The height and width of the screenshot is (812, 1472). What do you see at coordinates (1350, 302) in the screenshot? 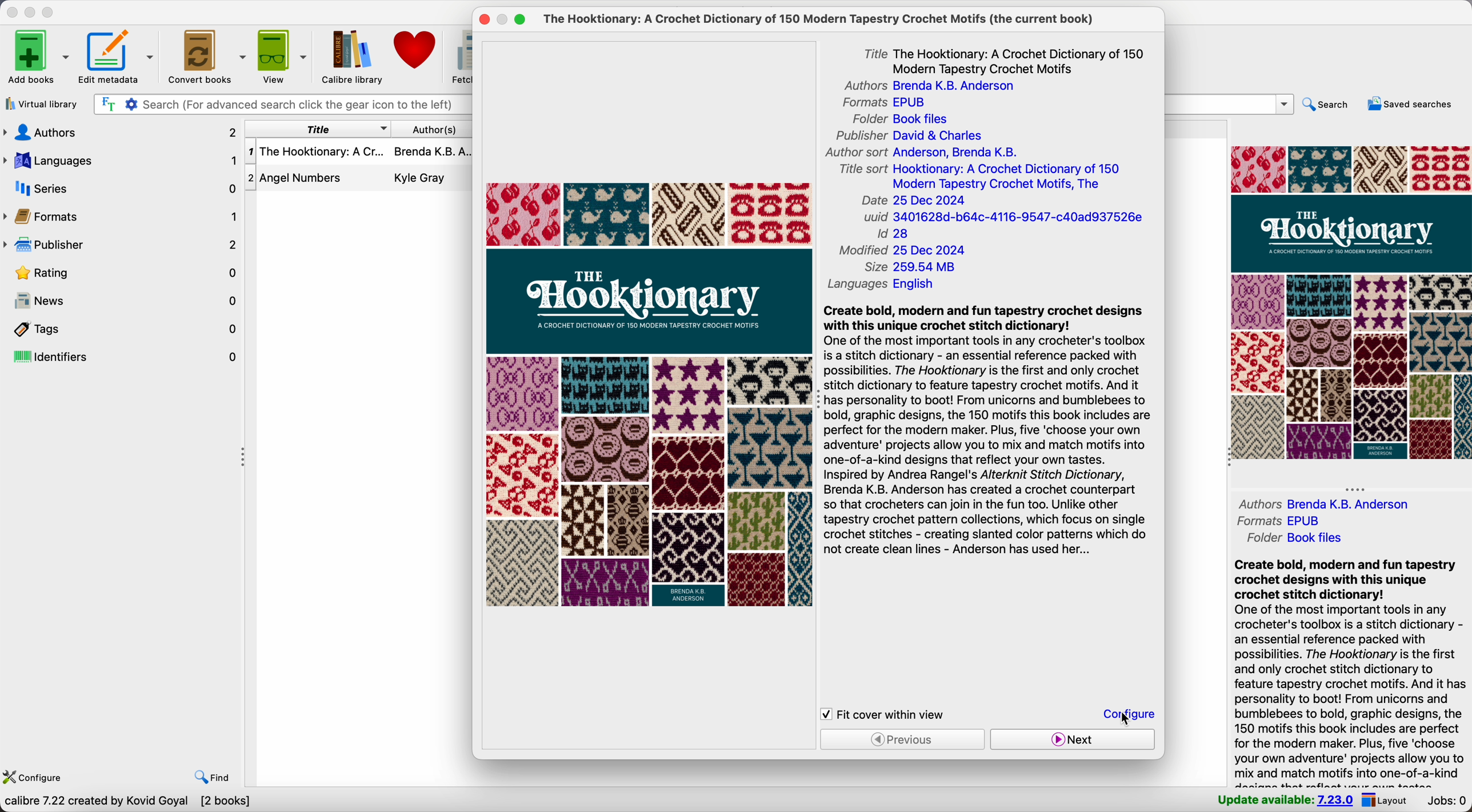
I see `book cover preview` at bounding box center [1350, 302].